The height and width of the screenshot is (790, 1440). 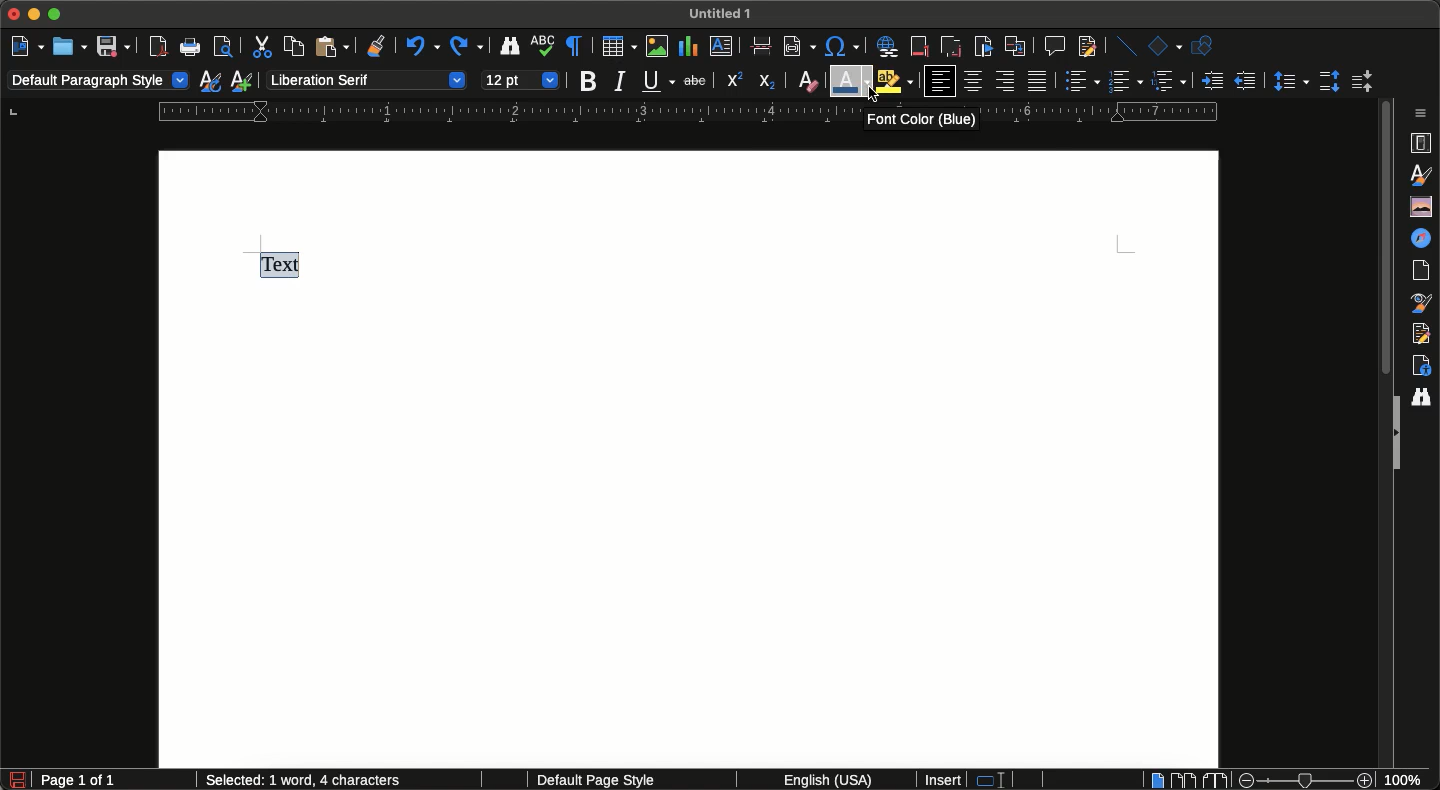 I want to click on Paragraph style, so click(x=99, y=82).